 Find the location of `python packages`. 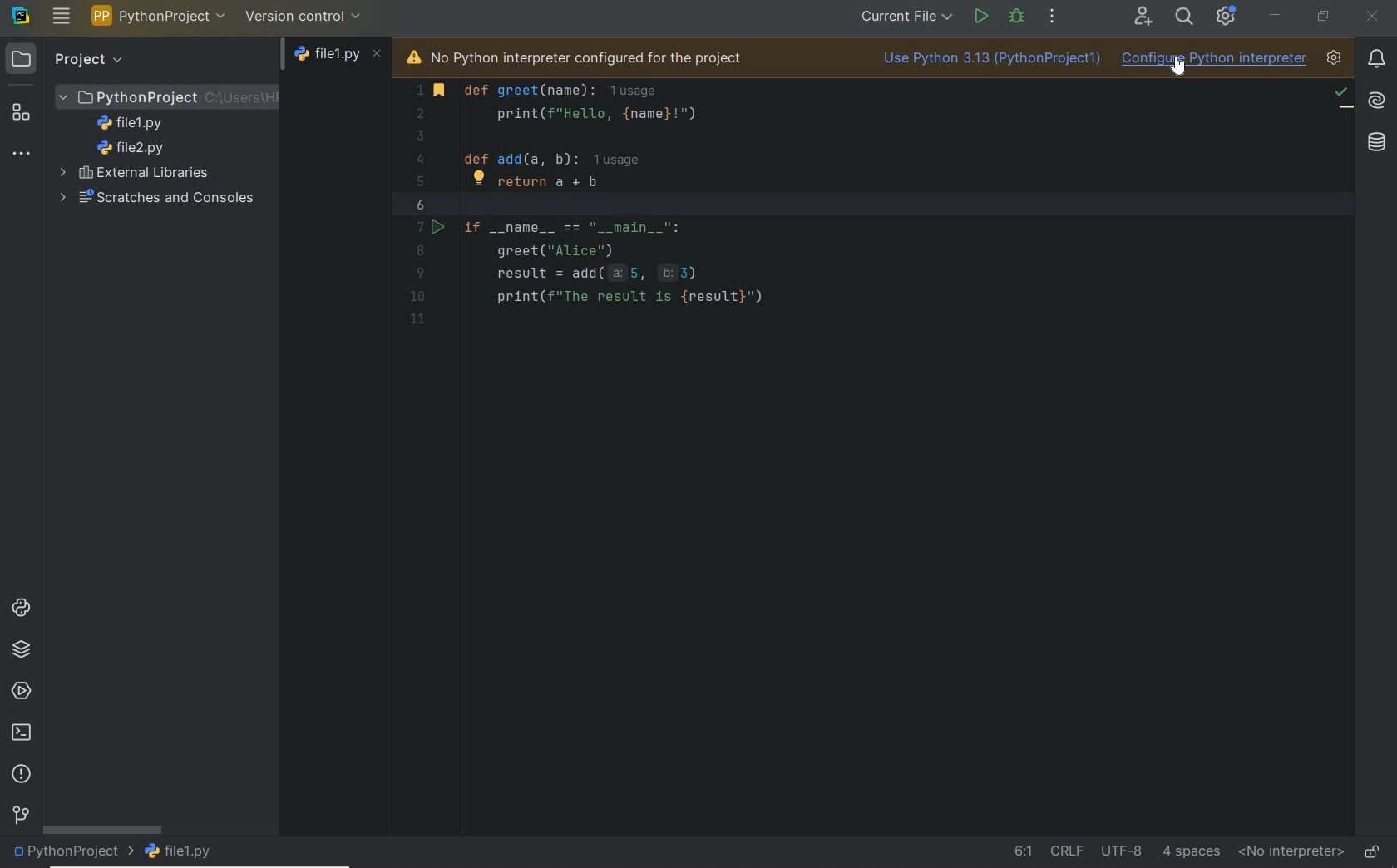

python packages is located at coordinates (22, 649).